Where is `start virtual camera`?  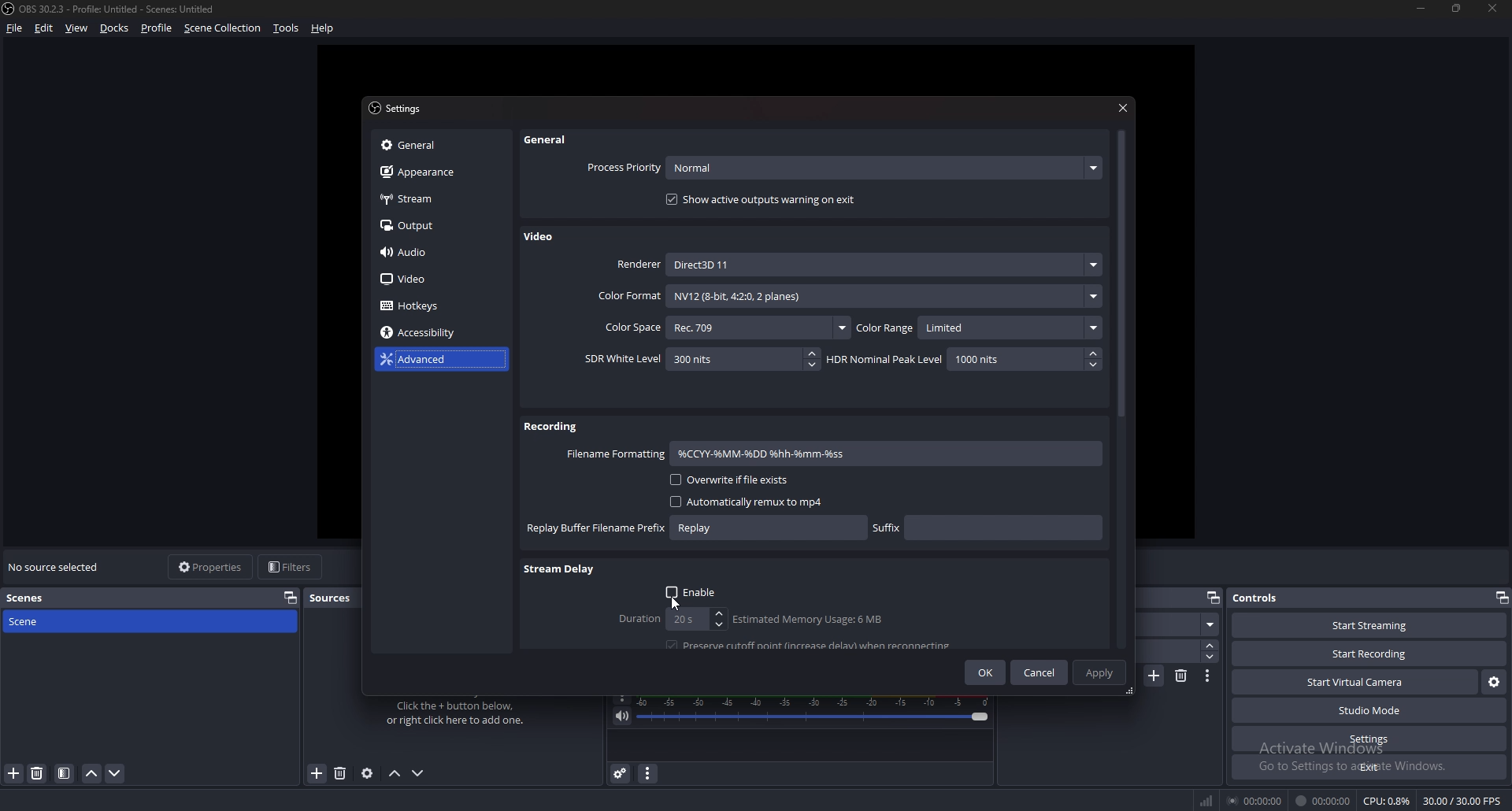 start virtual camera is located at coordinates (1356, 683).